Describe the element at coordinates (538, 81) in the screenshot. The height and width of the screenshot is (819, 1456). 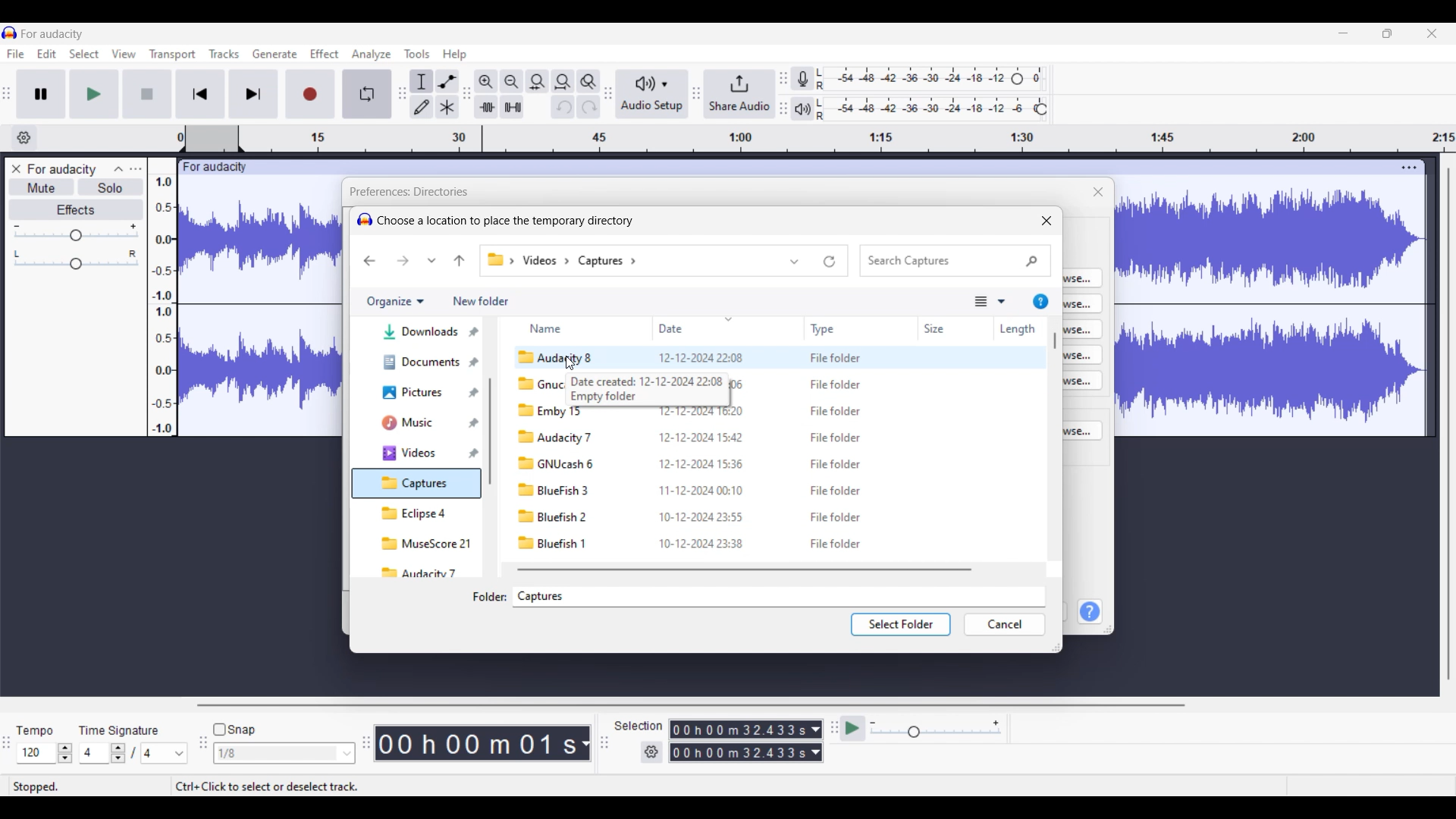
I see `Fit selection to width` at that location.